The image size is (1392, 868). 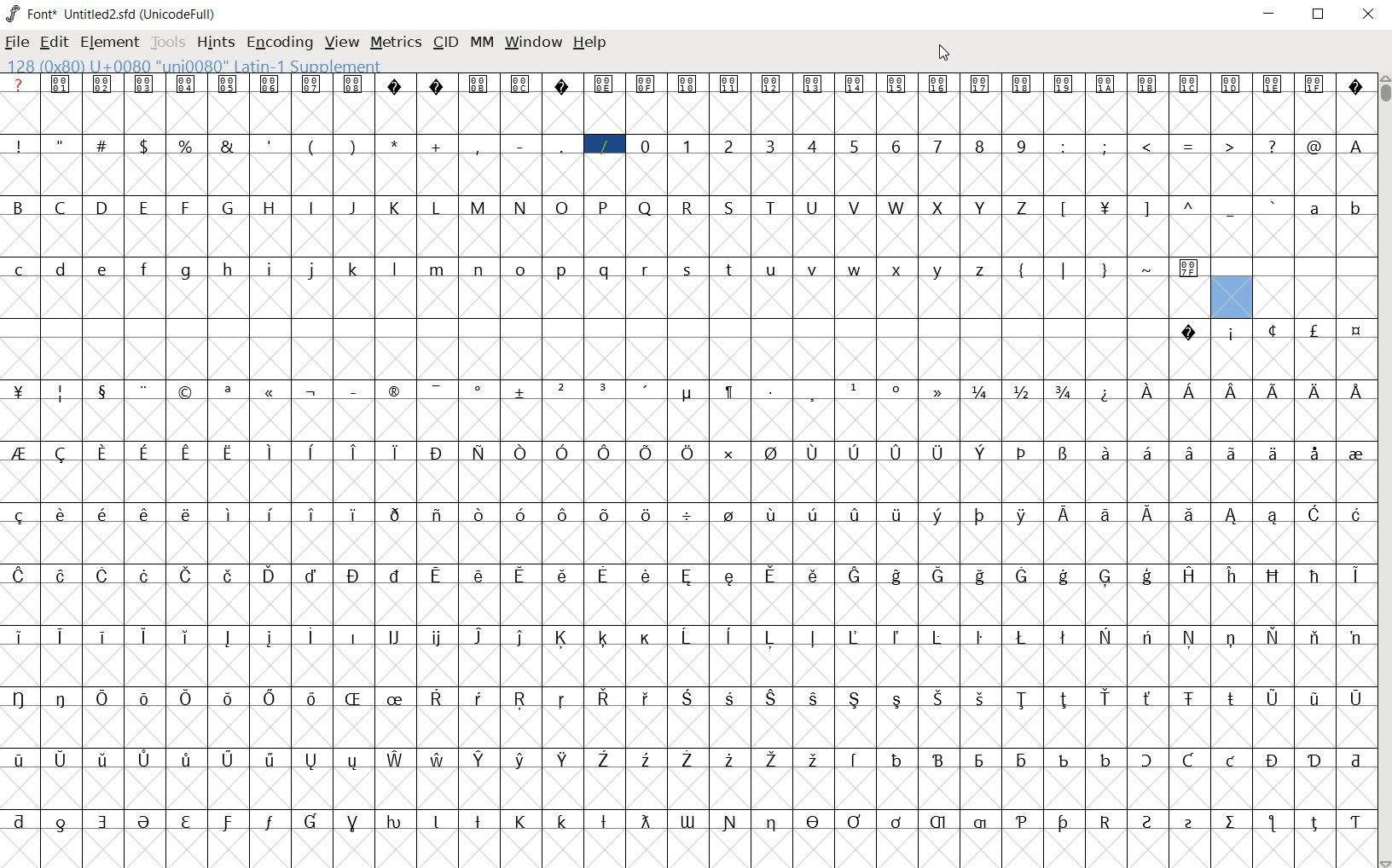 I want to click on glyph, so click(x=61, y=825).